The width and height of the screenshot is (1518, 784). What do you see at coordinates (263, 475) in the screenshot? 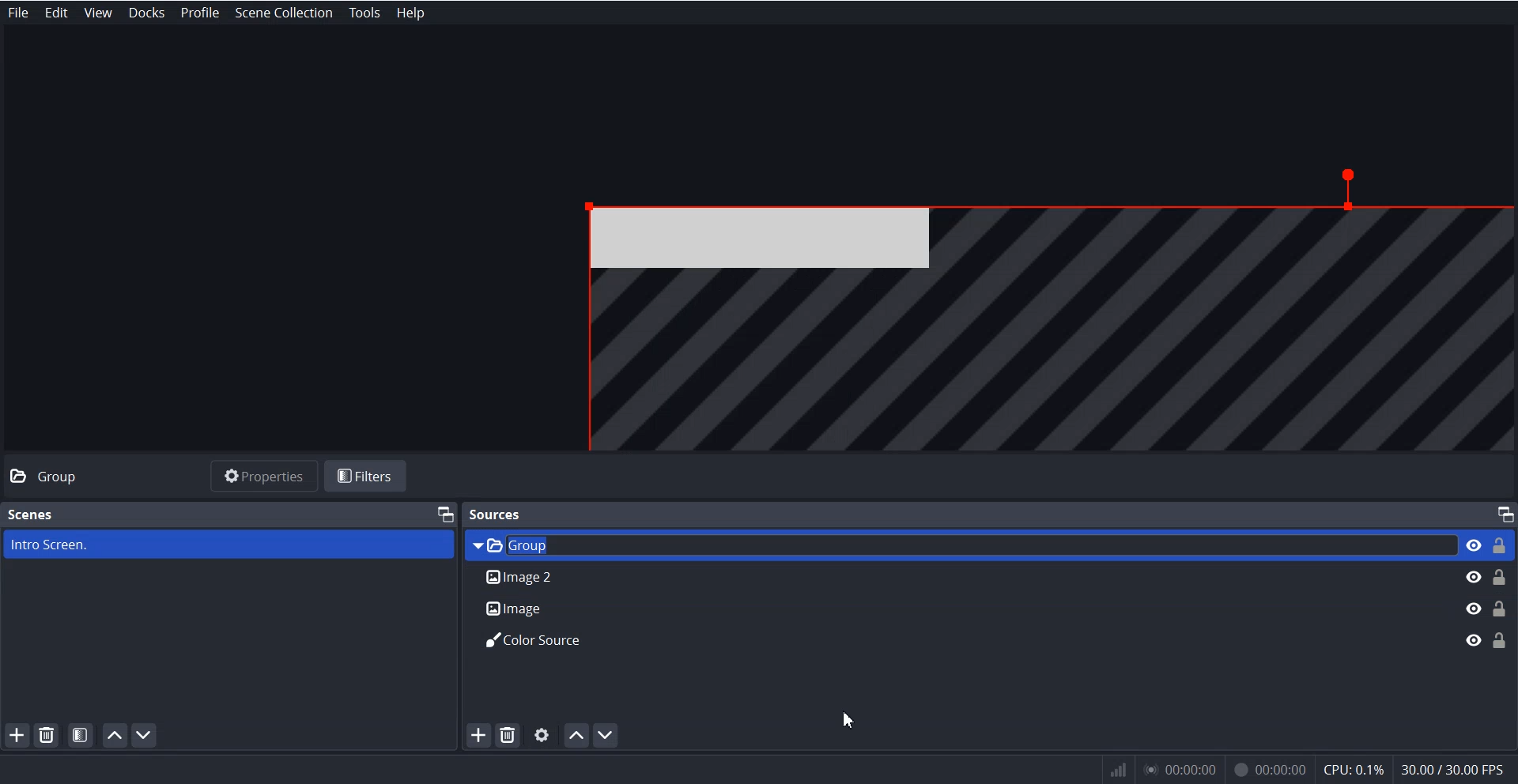
I see `Properties` at bounding box center [263, 475].